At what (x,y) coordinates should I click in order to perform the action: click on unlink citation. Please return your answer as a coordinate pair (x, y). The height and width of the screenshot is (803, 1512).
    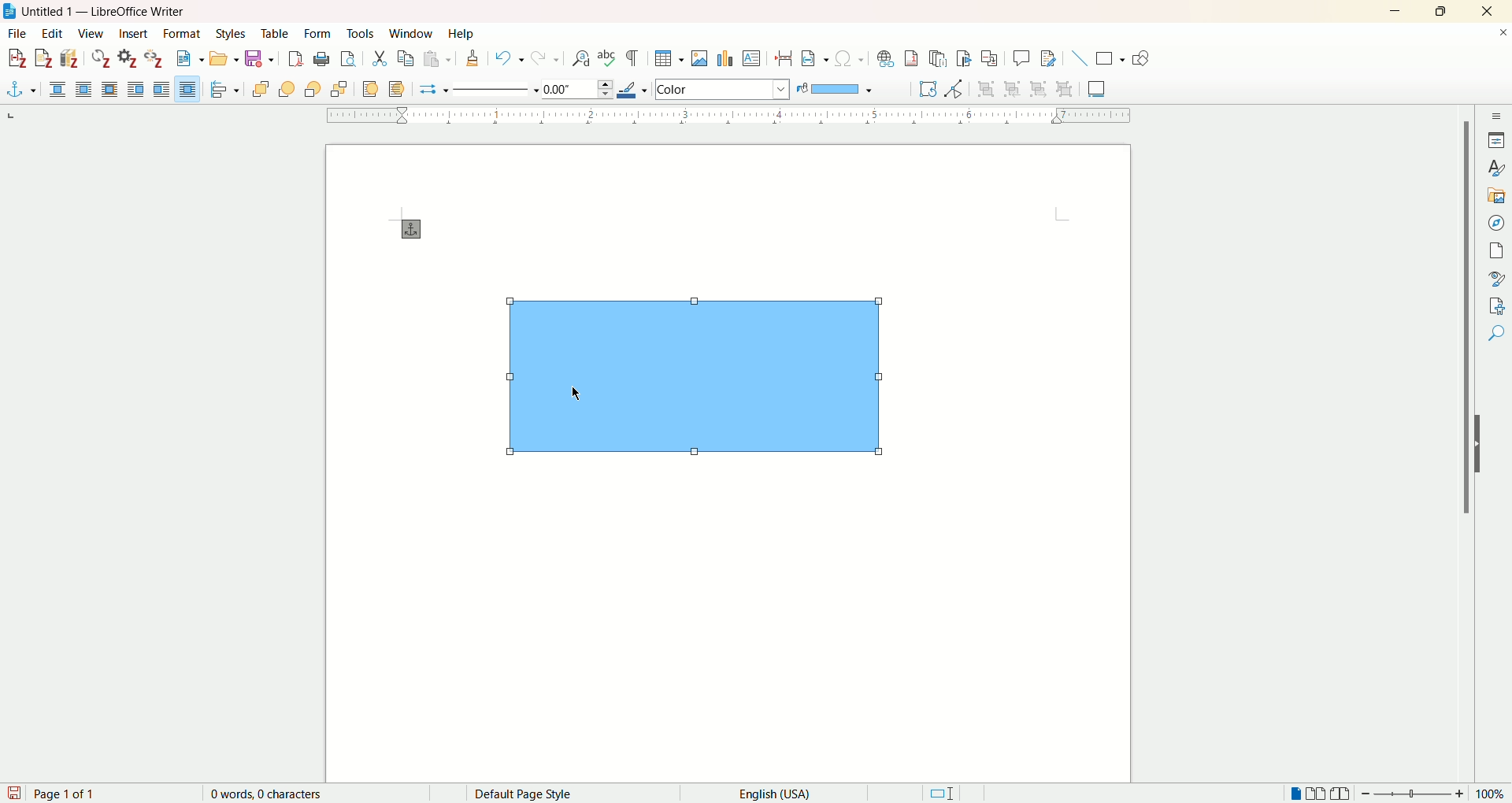
    Looking at the image, I should click on (154, 58).